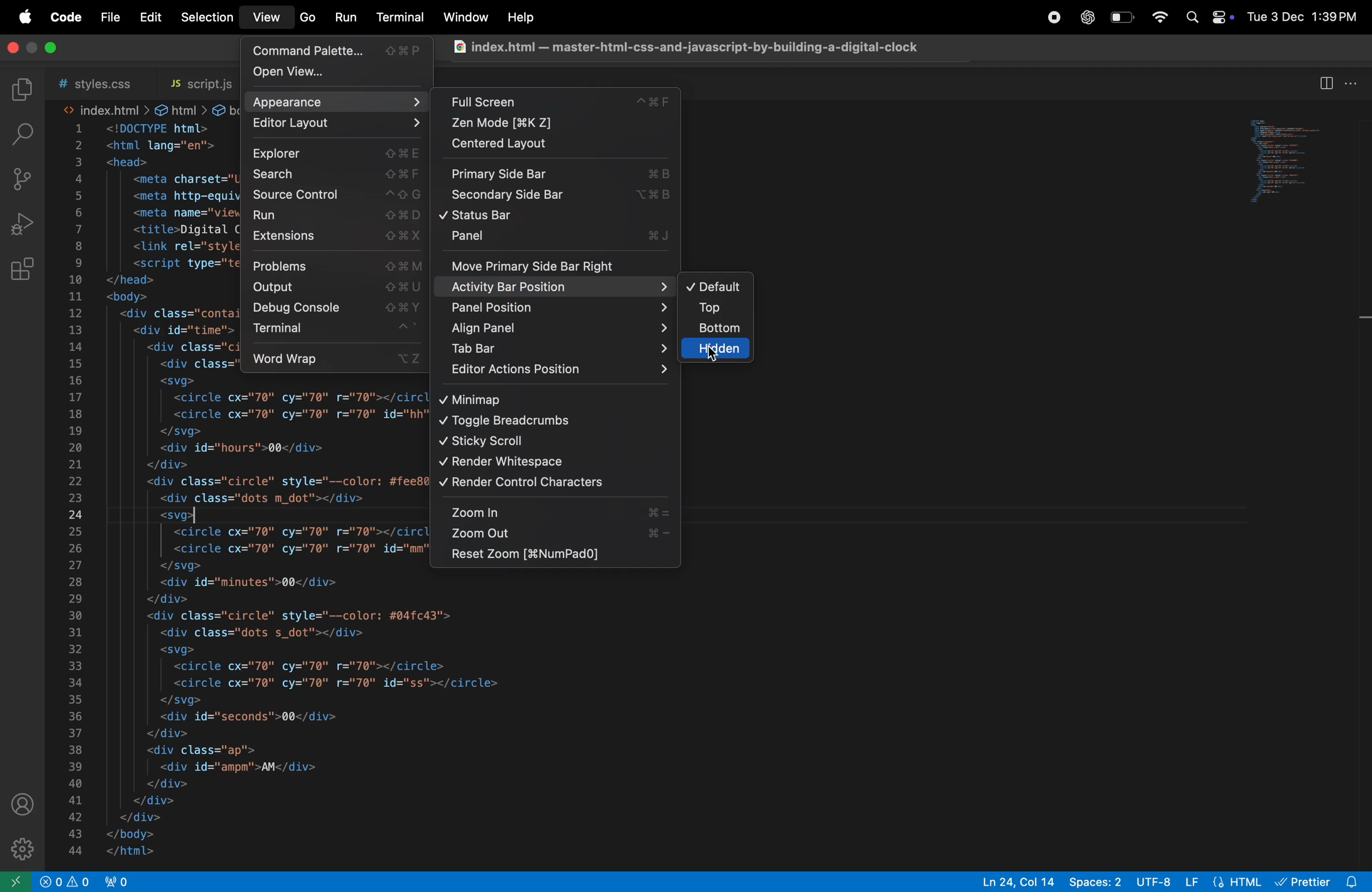  What do you see at coordinates (22, 180) in the screenshot?
I see `soource control` at bounding box center [22, 180].